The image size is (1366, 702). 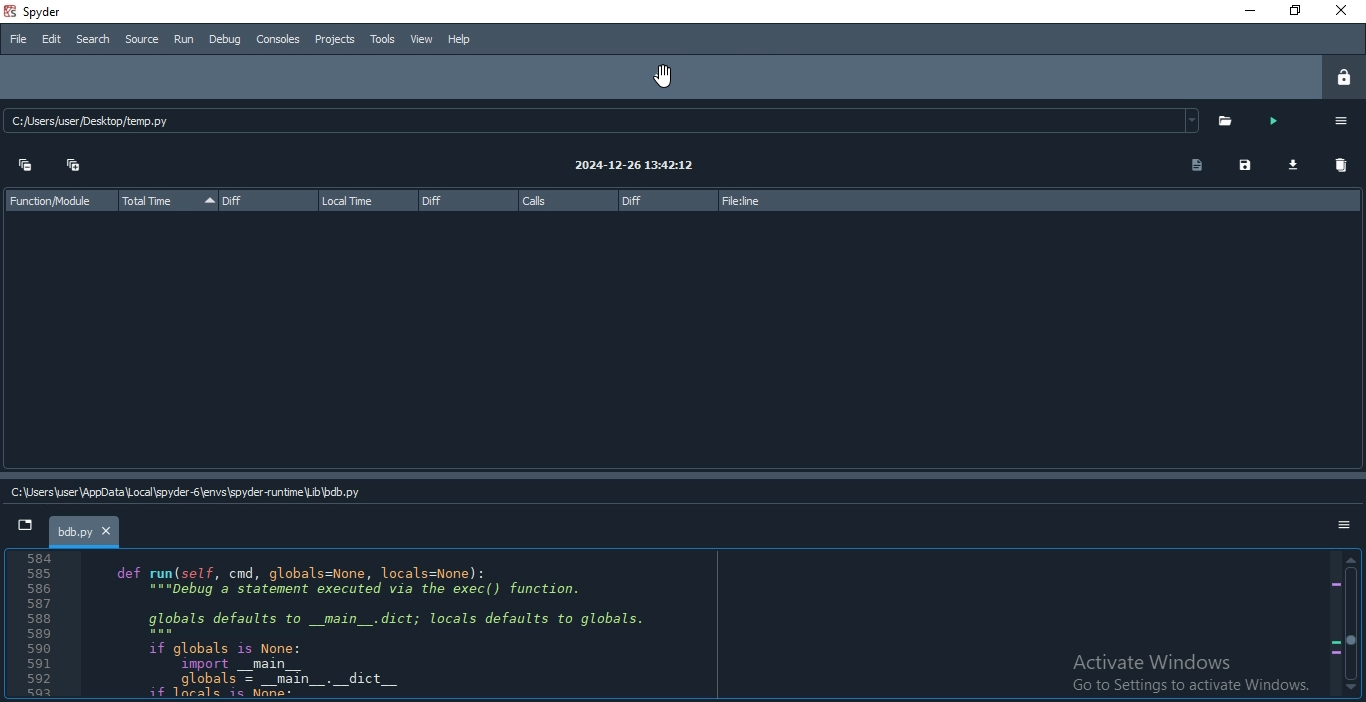 What do you see at coordinates (51, 38) in the screenshot?
I see `Edit` at bounding box center [51, 38].